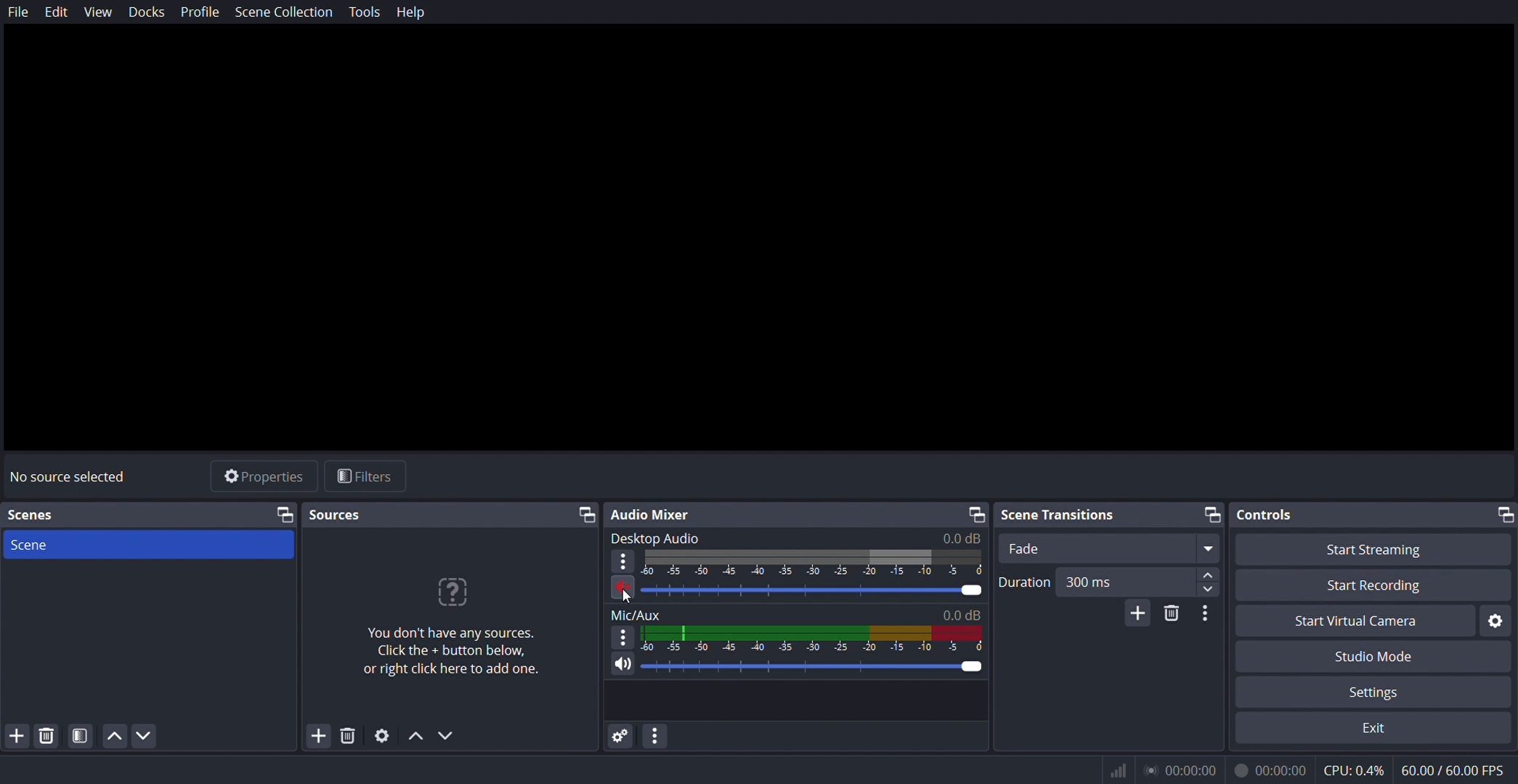 This screenshot has width=1518, height=784. Describe the element at coordinates (362, 478) in the screenshot. I see `filters` at that location.